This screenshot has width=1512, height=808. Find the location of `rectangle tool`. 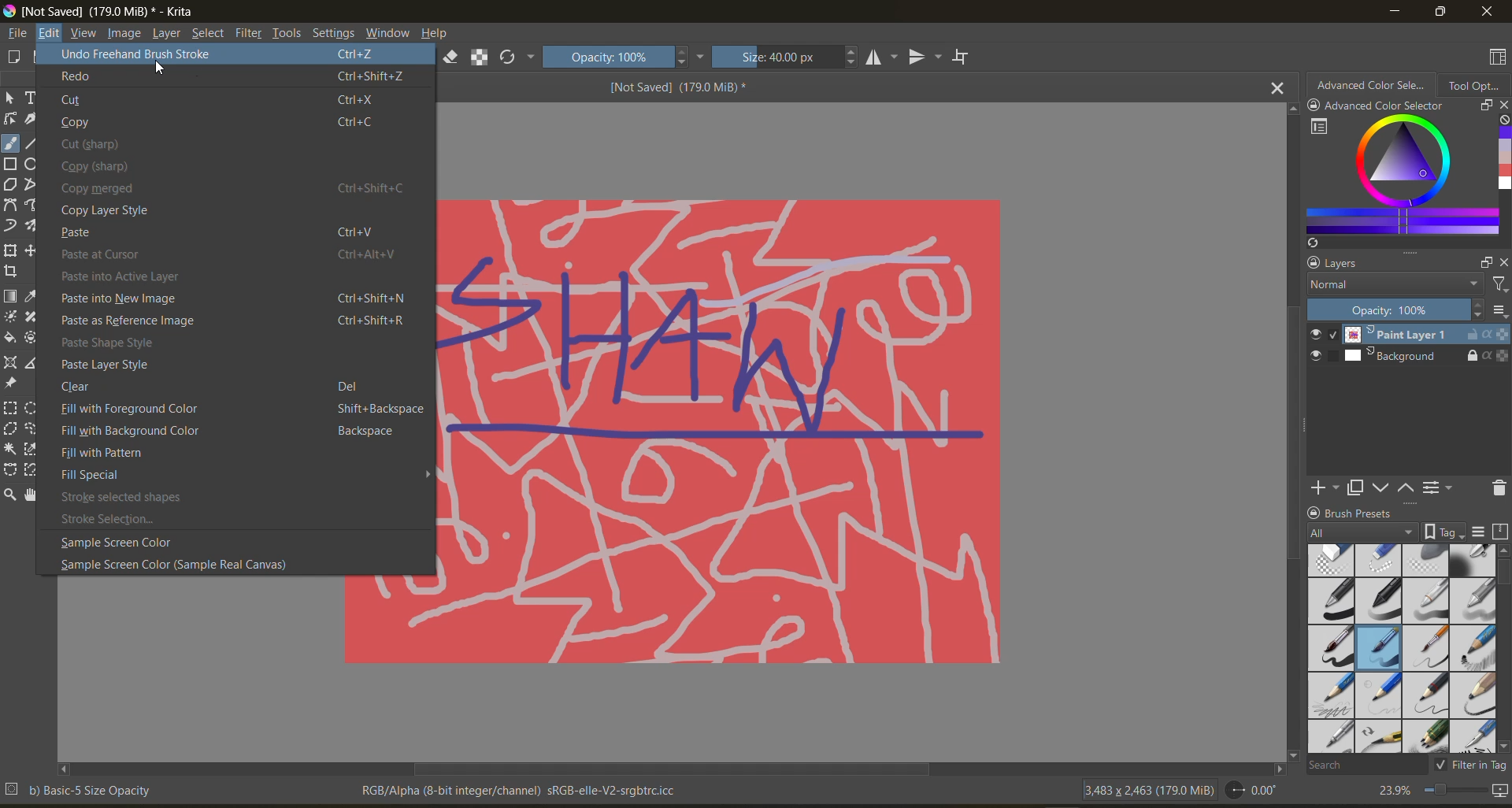

rectangle tool is located at coordinates (11, 164).